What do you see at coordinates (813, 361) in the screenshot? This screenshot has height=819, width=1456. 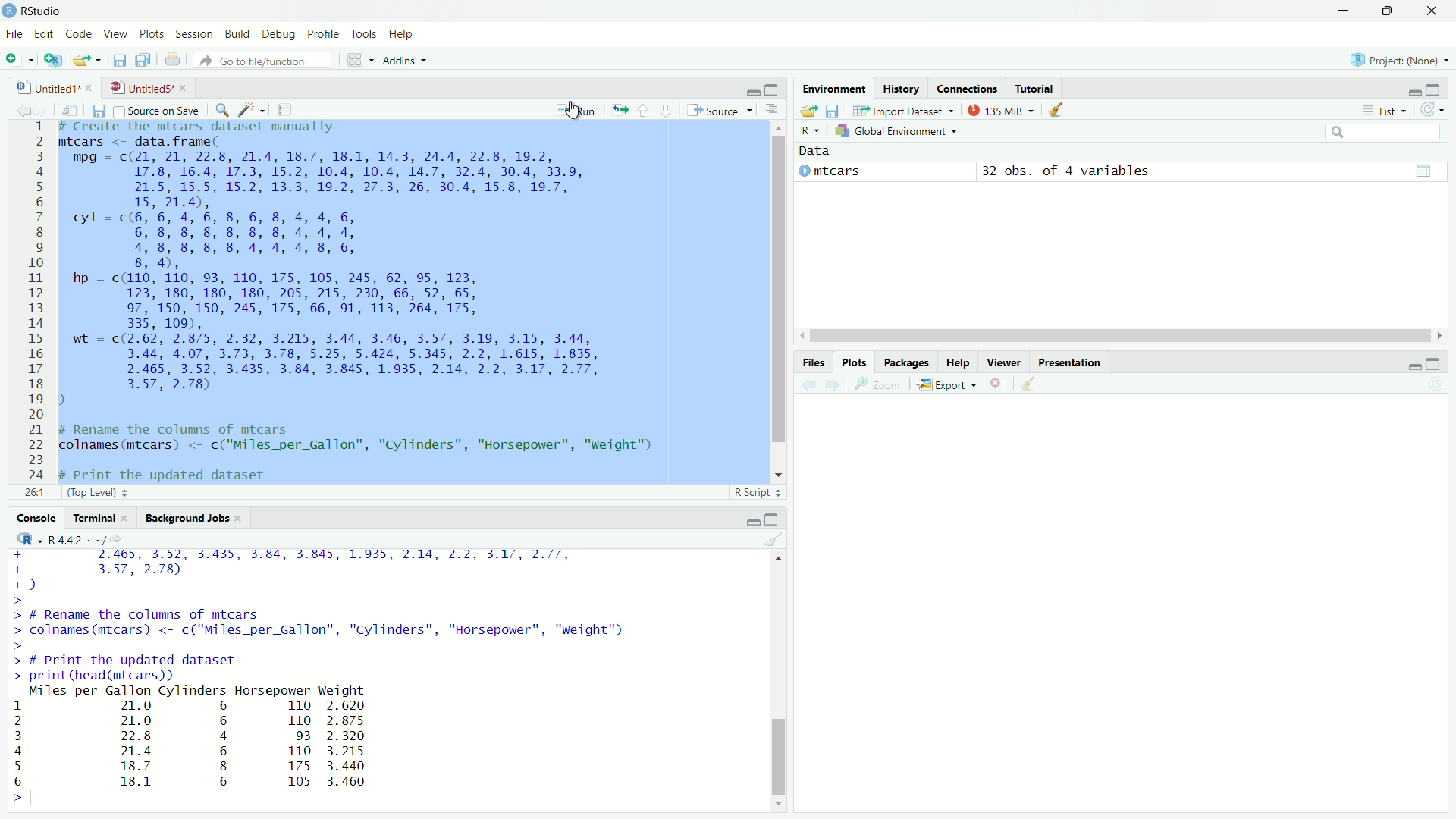 I see `Files` at bounding box center [813, 361].